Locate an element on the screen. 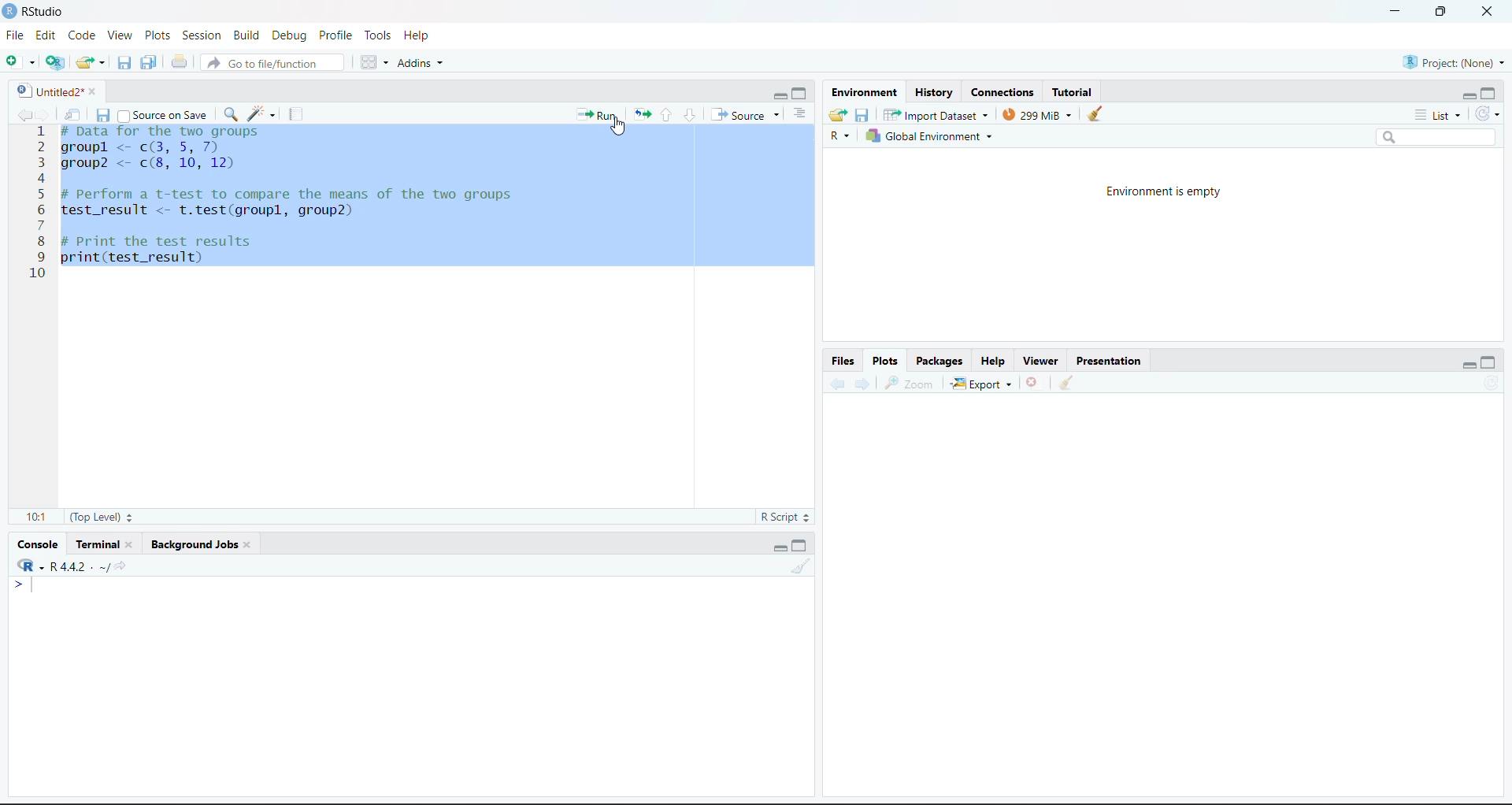 The width and height of the screenshot is (1512, 805). workspace panes is located at coordinates (372, 61).